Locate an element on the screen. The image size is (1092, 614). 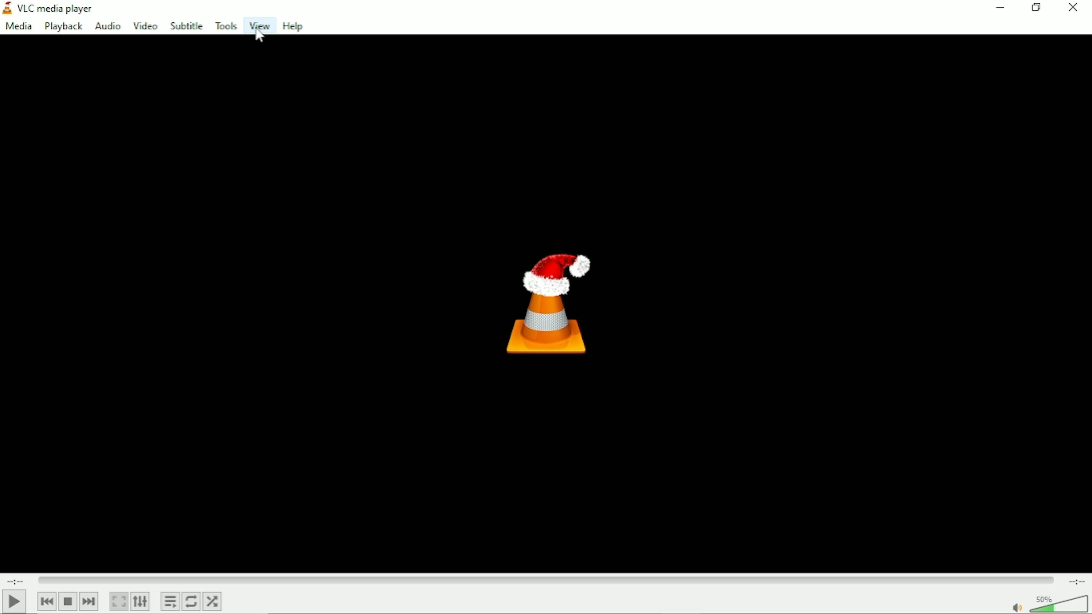
 is located at coordinates (1073, 9).